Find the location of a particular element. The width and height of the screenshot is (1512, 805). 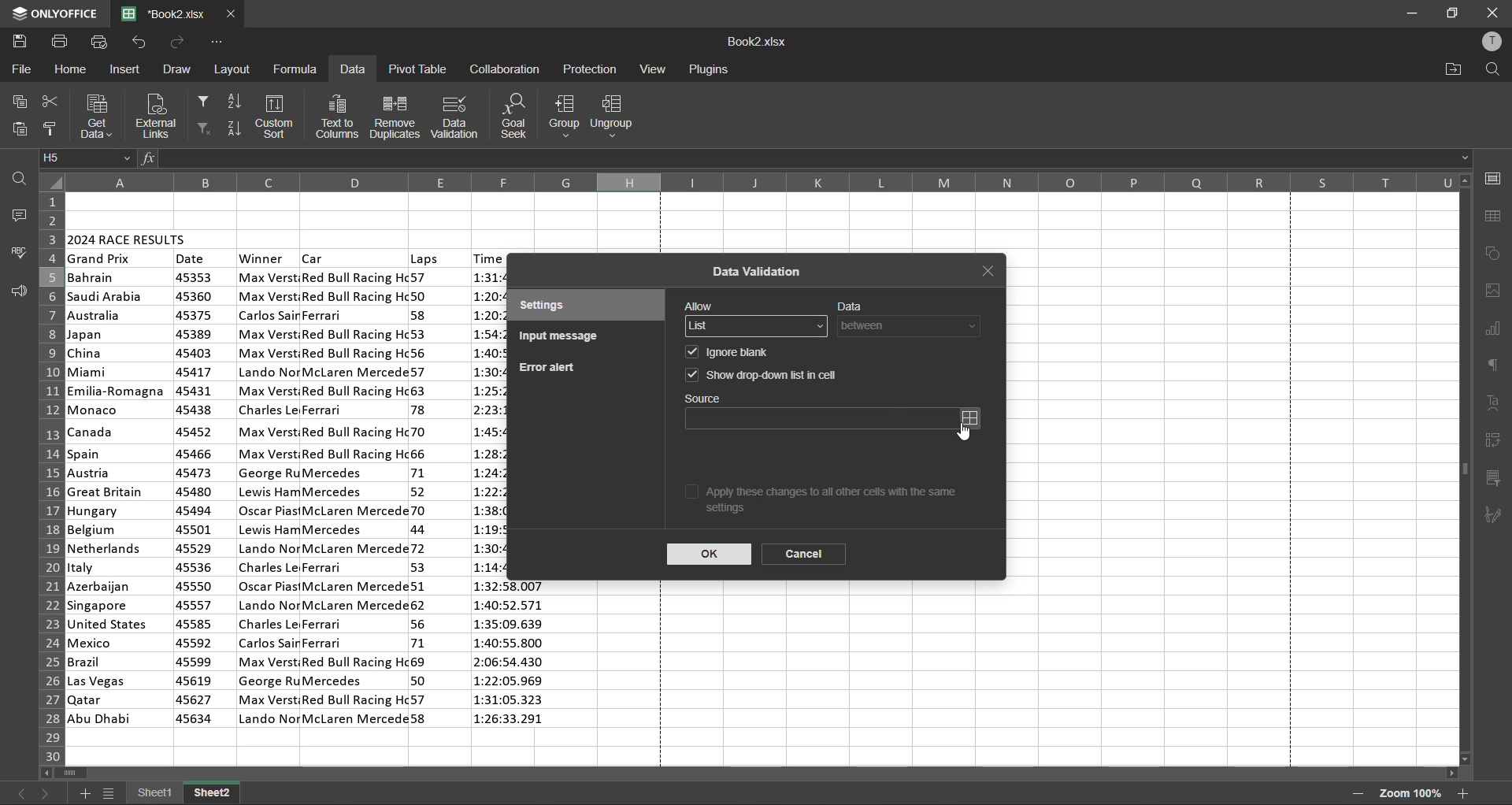

ok is located at coordinates (710, 554).